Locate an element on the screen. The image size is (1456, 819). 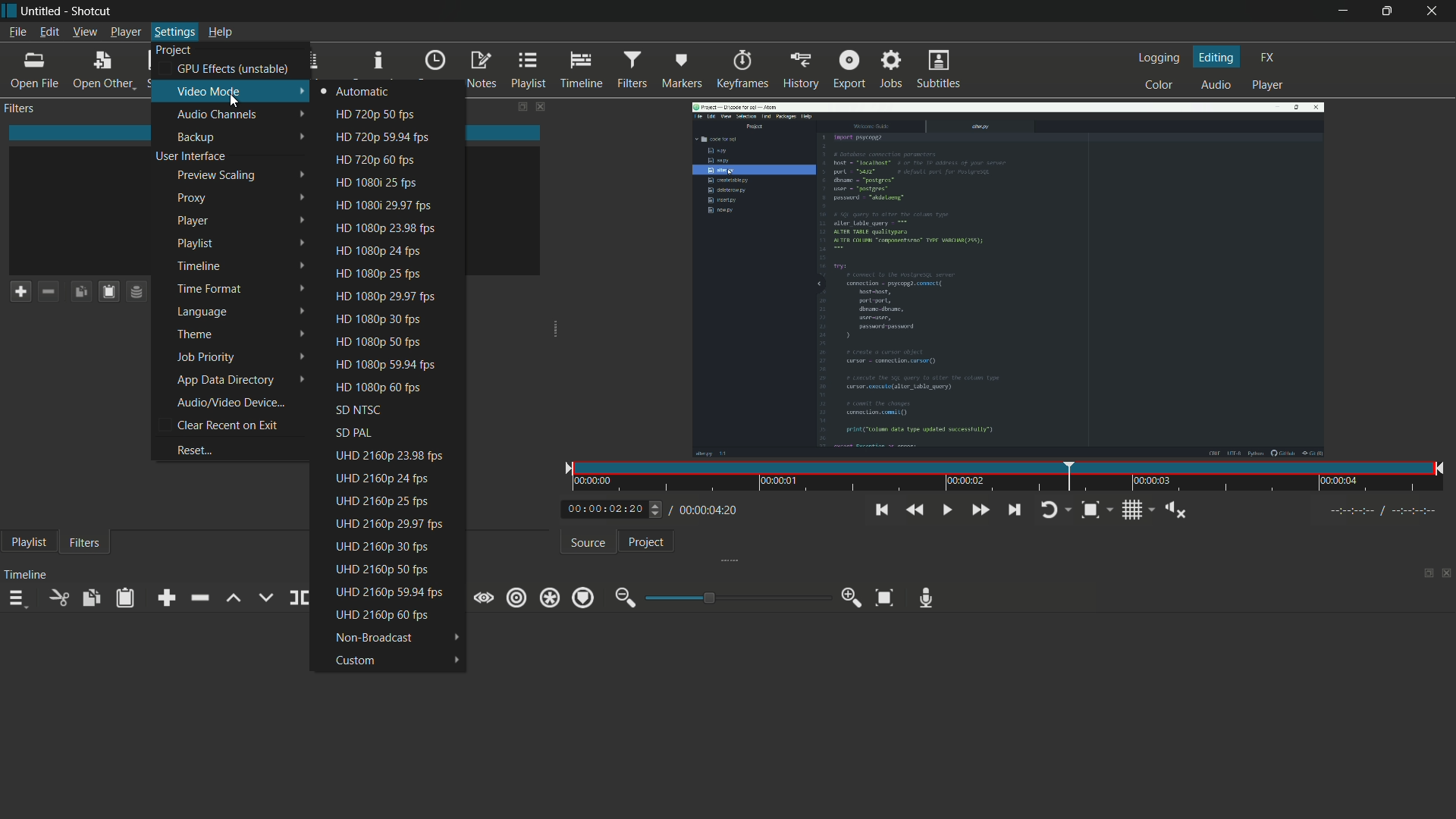
open other is located at coordinates (102, 70).